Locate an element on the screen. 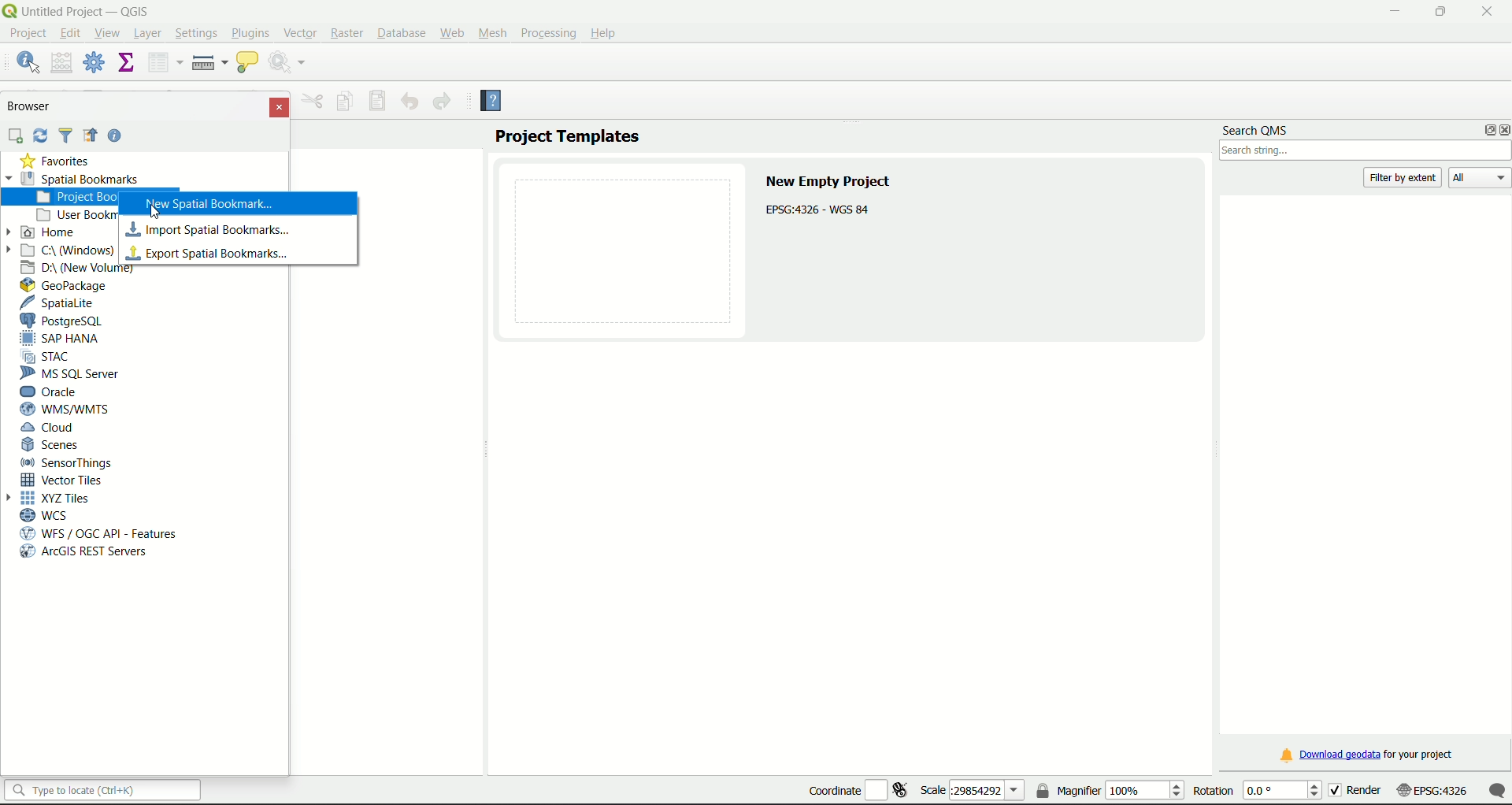 The width and height of the screenshot is (1512, 805). WFS/OGC is located at coordinates (104, 533).